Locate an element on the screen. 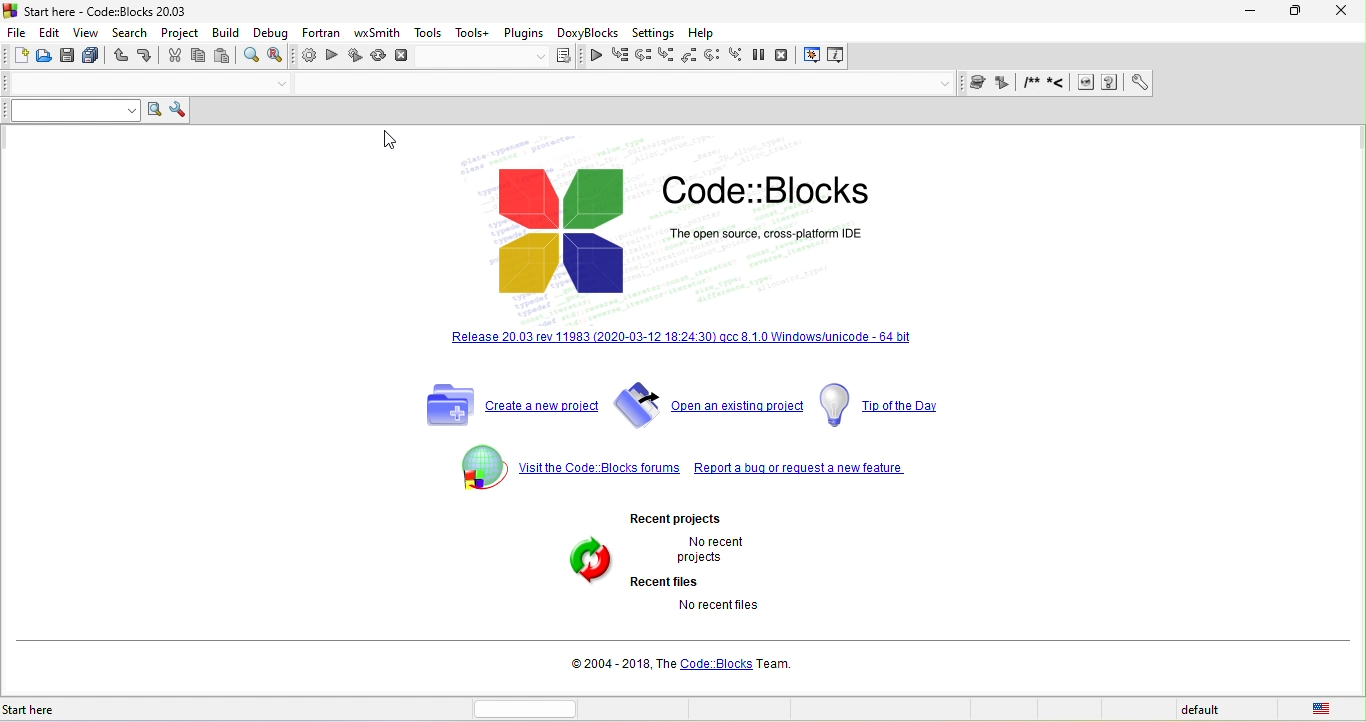 The height and width of the screenshot is (722, 1366). open tab  is located at coordinates (620, 86).